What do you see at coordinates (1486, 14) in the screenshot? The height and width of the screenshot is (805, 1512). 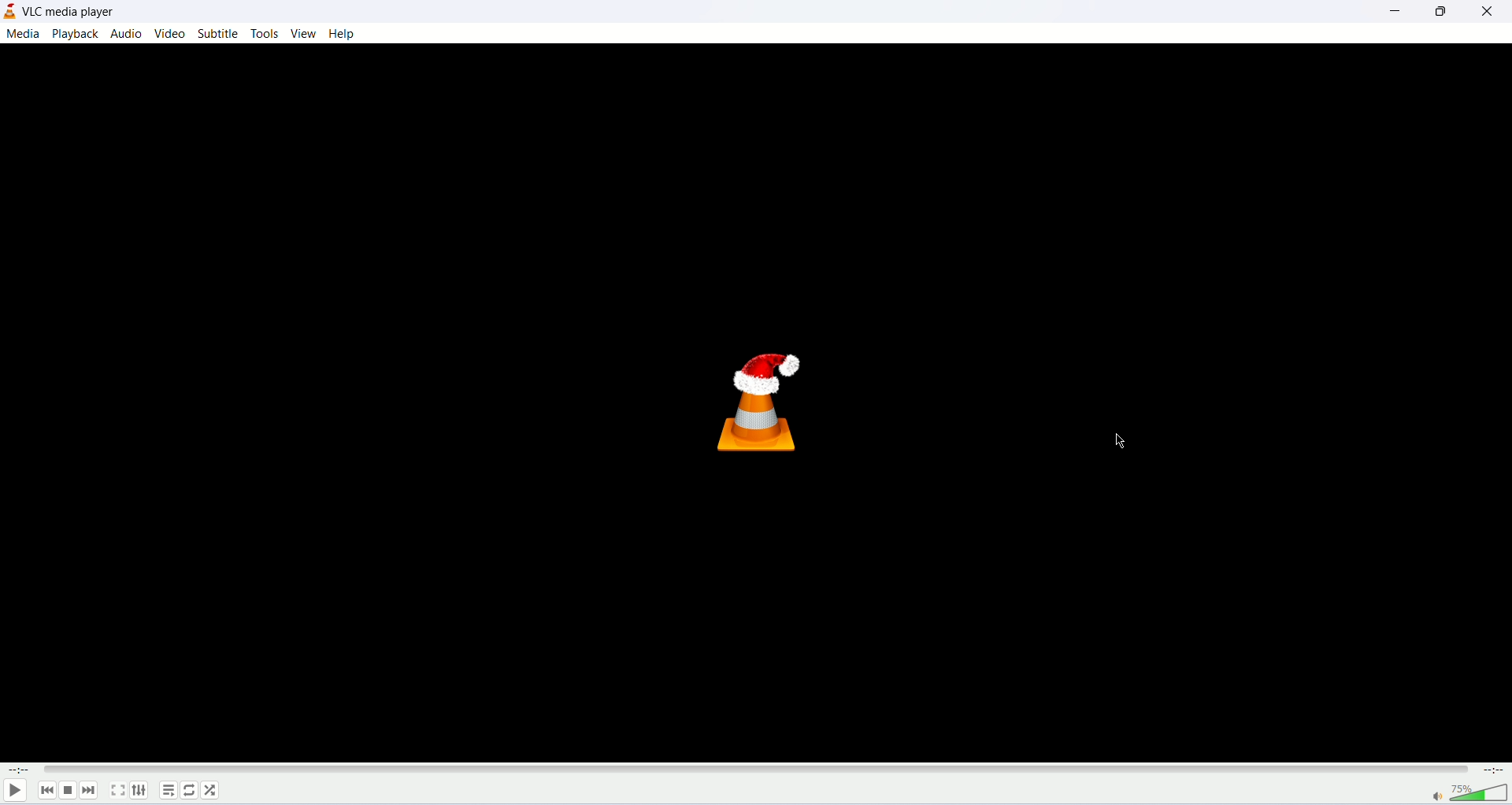 I see `close` at bounding box center [1486, 14].